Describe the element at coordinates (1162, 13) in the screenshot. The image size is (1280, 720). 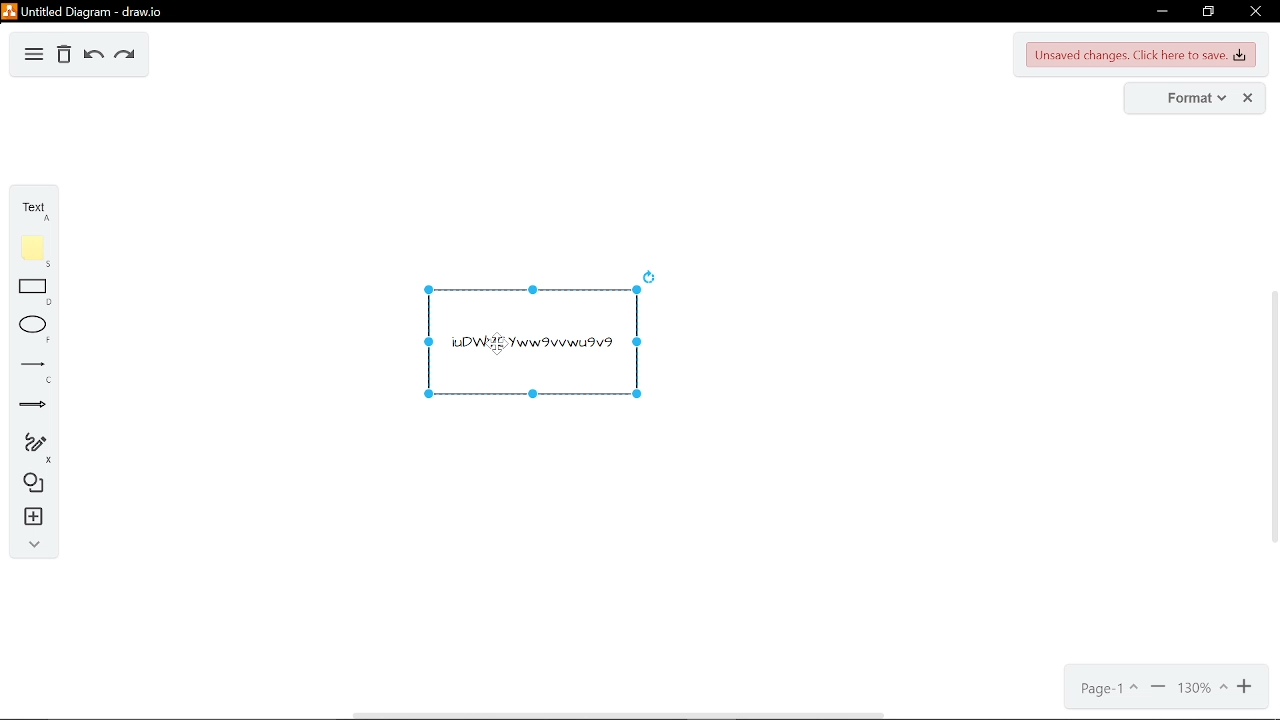
I see `minimize` at that location.